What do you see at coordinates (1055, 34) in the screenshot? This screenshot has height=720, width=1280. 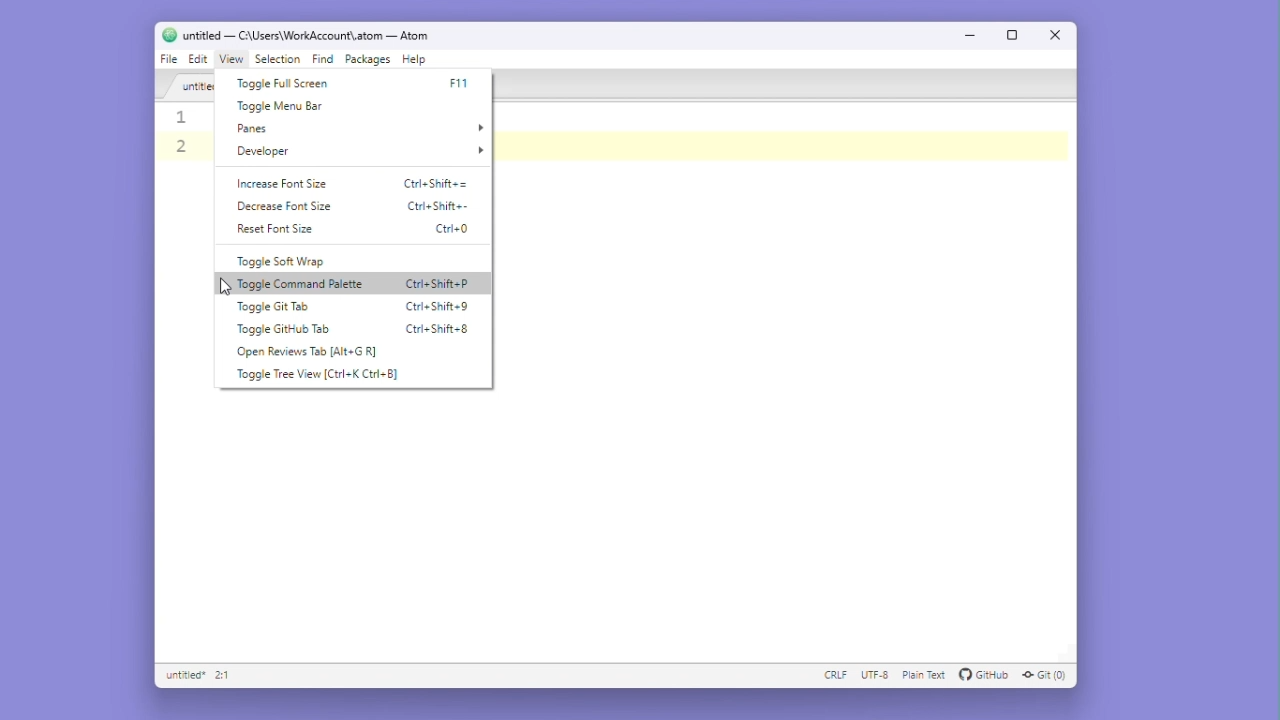 I see `Close` at bounding box center [1055, 34].